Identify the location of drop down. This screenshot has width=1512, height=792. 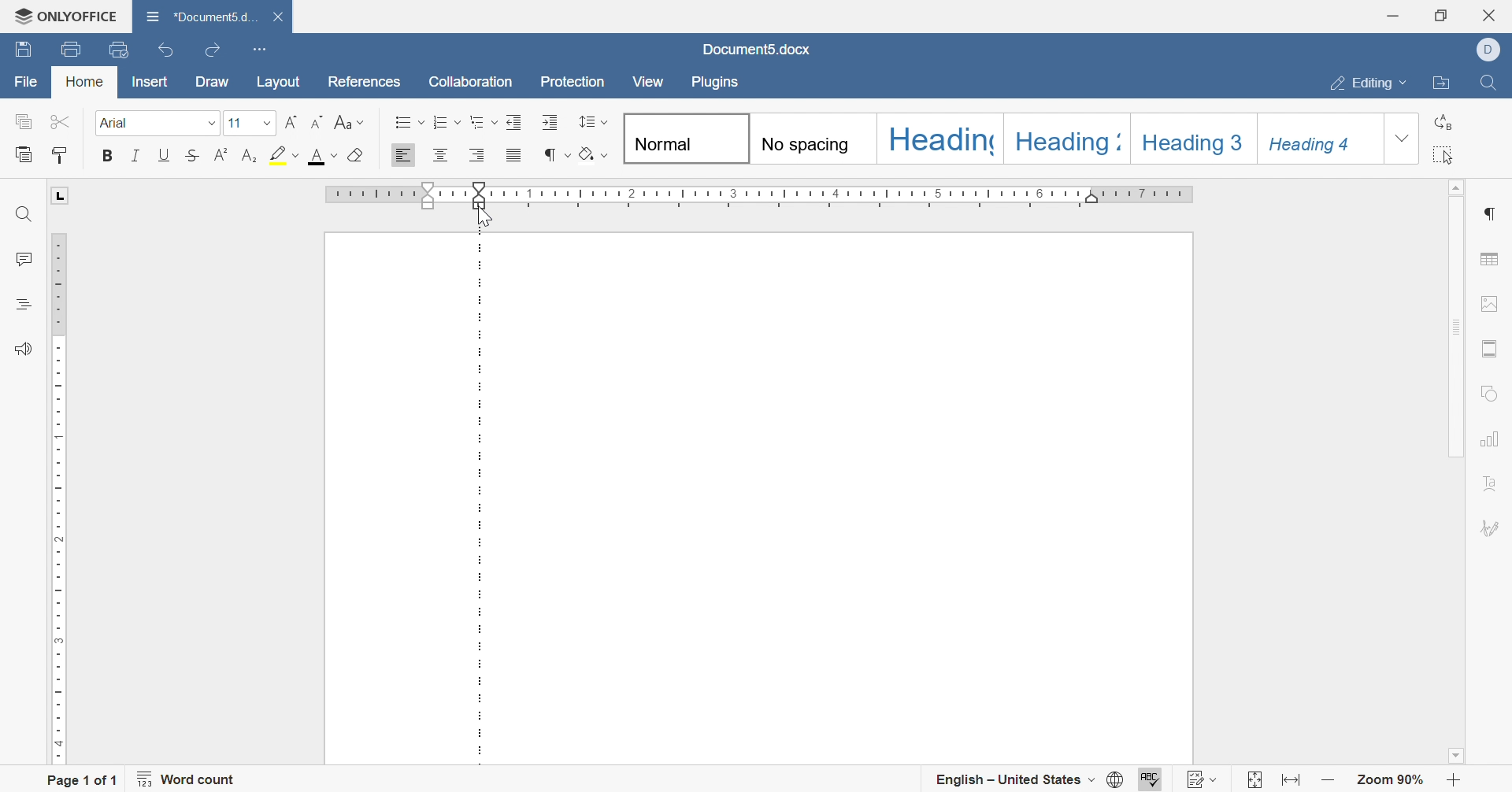
(268, 124).